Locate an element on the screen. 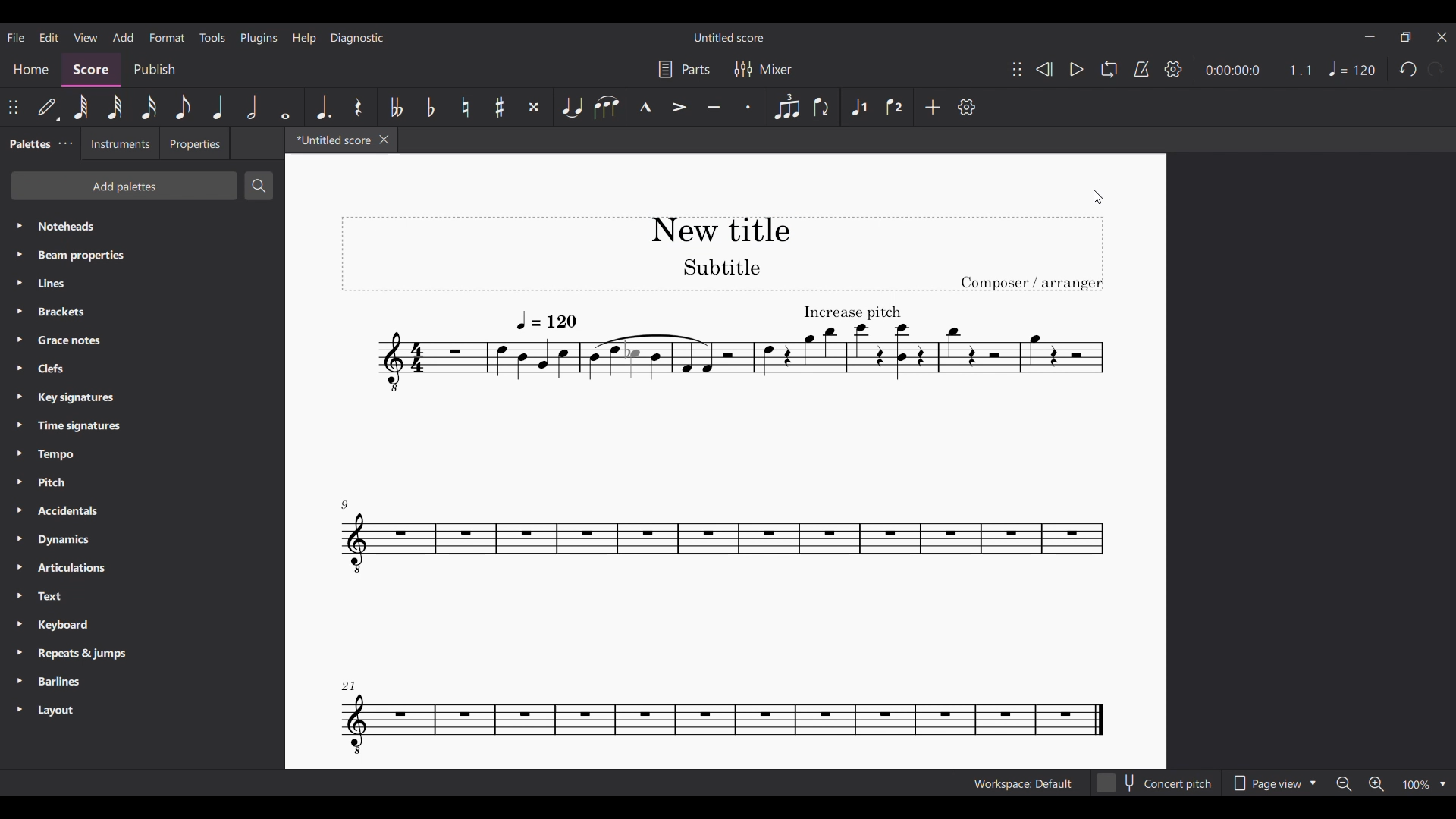  Tempo is located at coordinates (1353, 68).